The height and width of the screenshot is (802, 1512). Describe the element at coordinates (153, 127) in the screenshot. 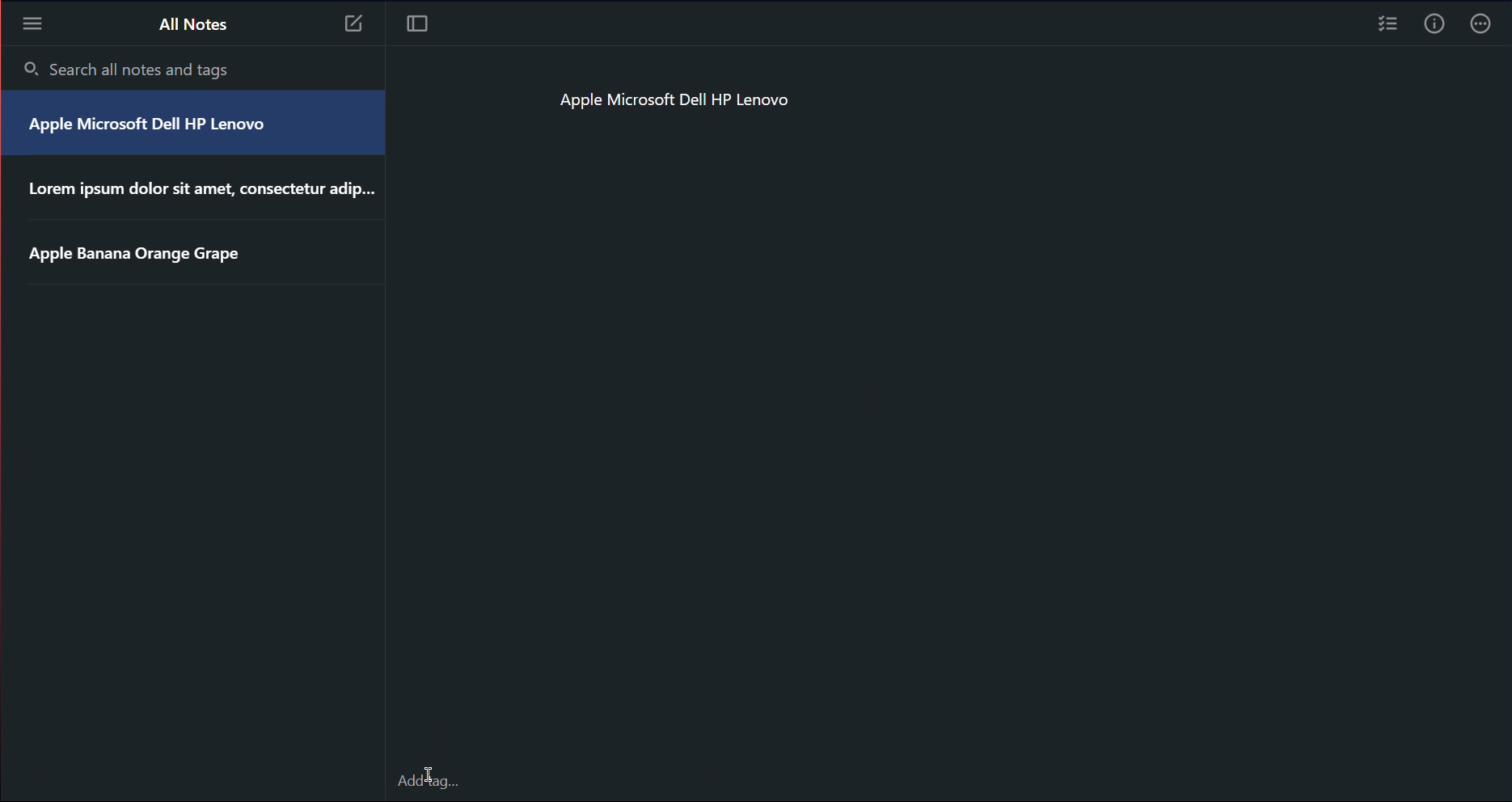

I see `Apple Microsoft Dell HP Lenovo` at that location.